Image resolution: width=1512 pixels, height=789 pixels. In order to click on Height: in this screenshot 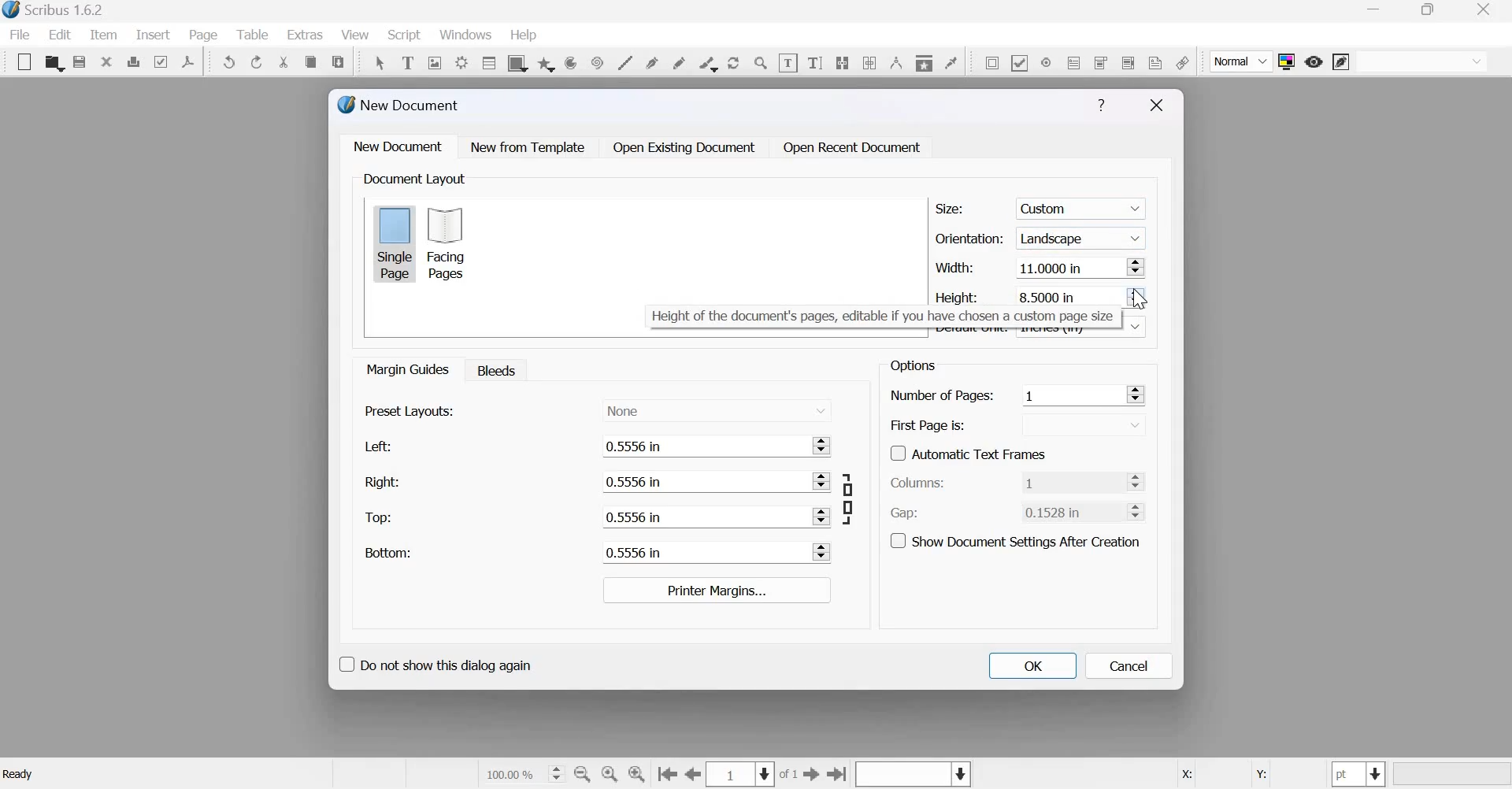, I will do `click(958, 295)`.